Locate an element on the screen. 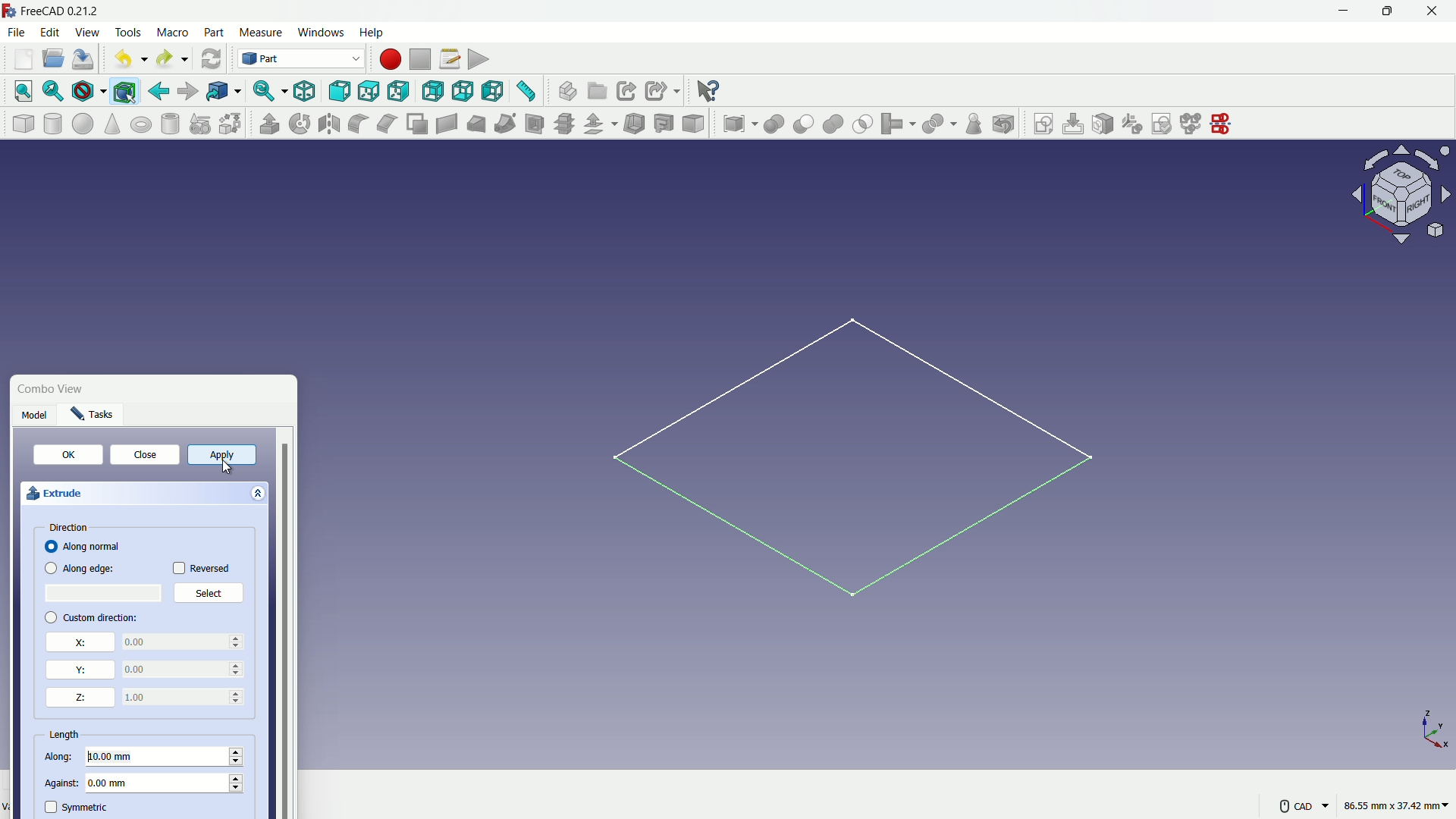  cone is located at coordinates (113, 123).